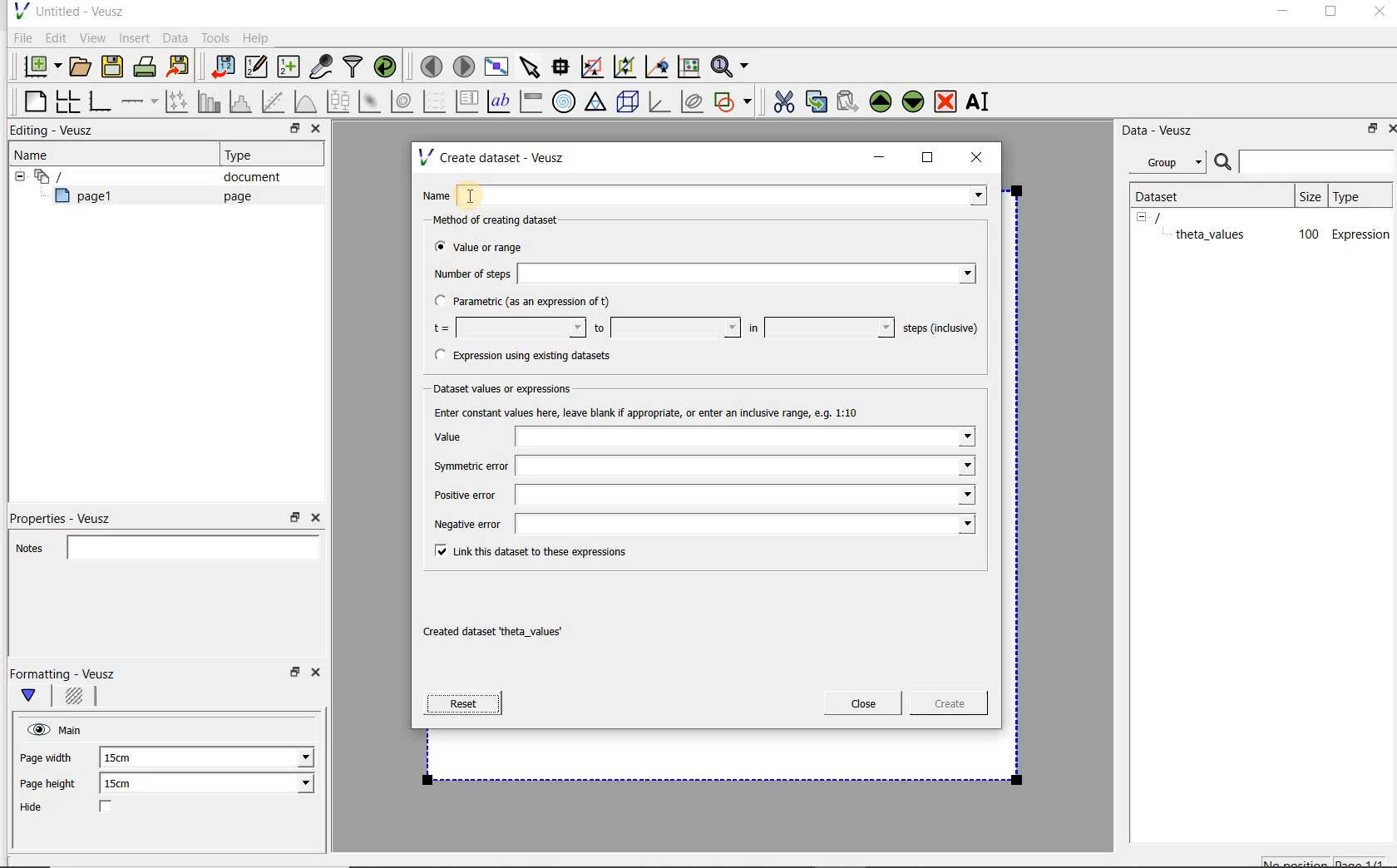 Image resolution: width=1397 pixels, height=868 pixels. Describe the element at coordinates (214, 38) in the screenshot. I see `Tools` at that location.